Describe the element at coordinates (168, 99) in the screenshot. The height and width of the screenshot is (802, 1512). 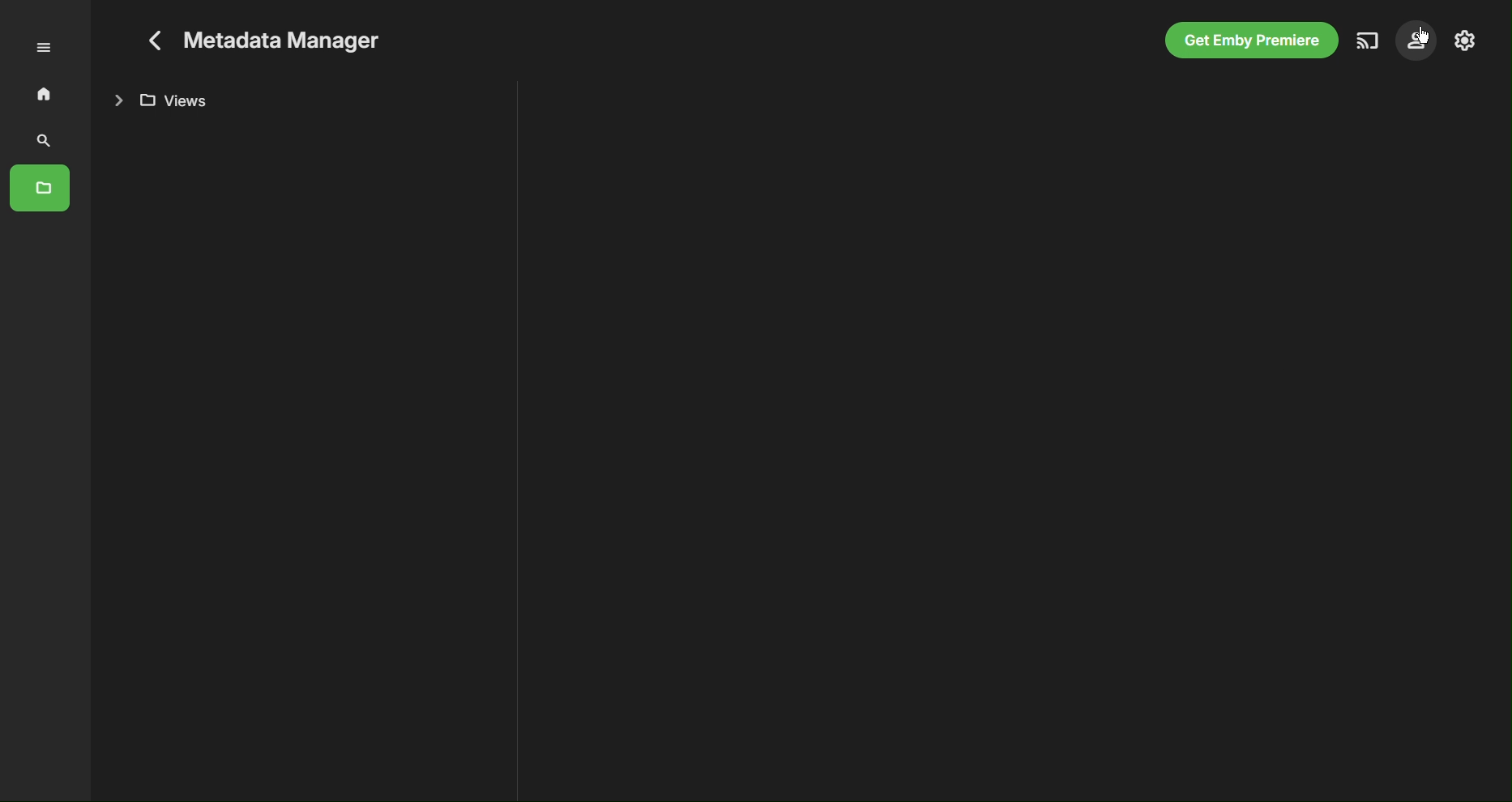
I see `Views` at that location.